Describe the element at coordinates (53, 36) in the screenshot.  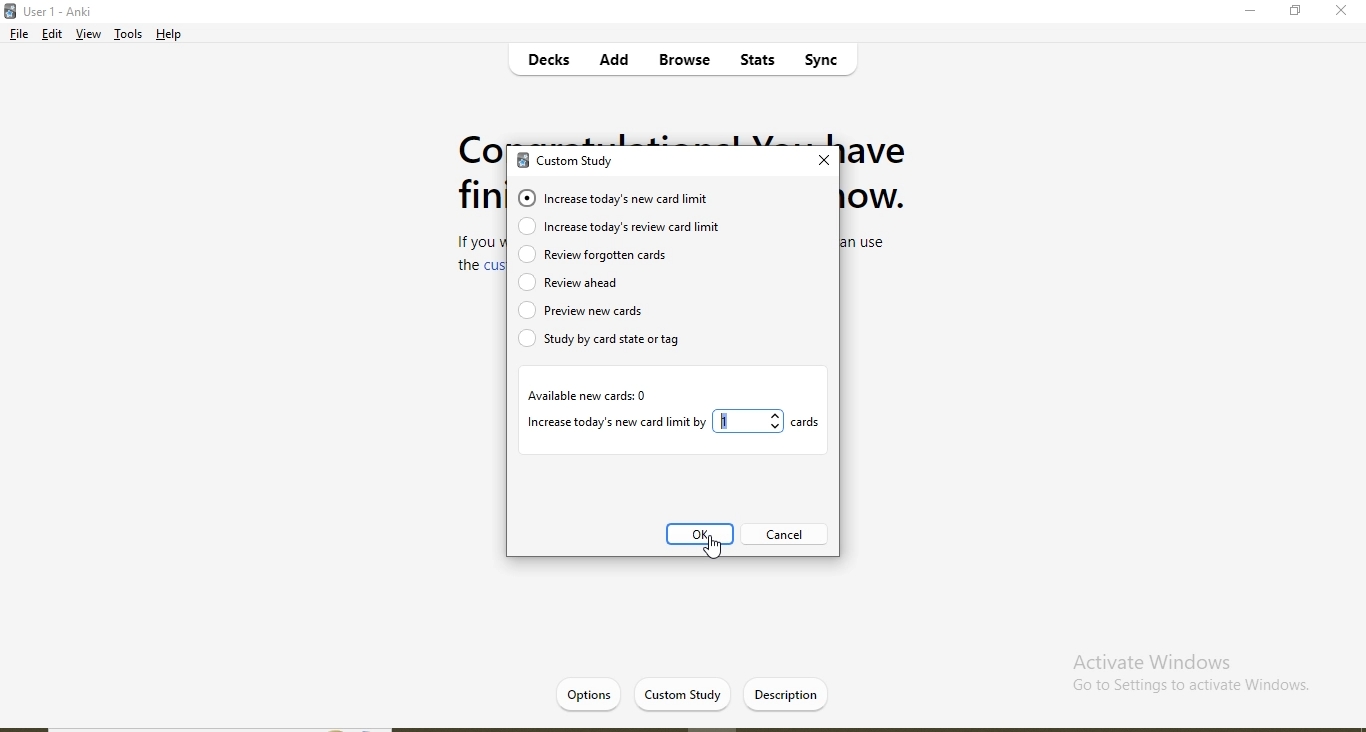
I see `edit` at that location.